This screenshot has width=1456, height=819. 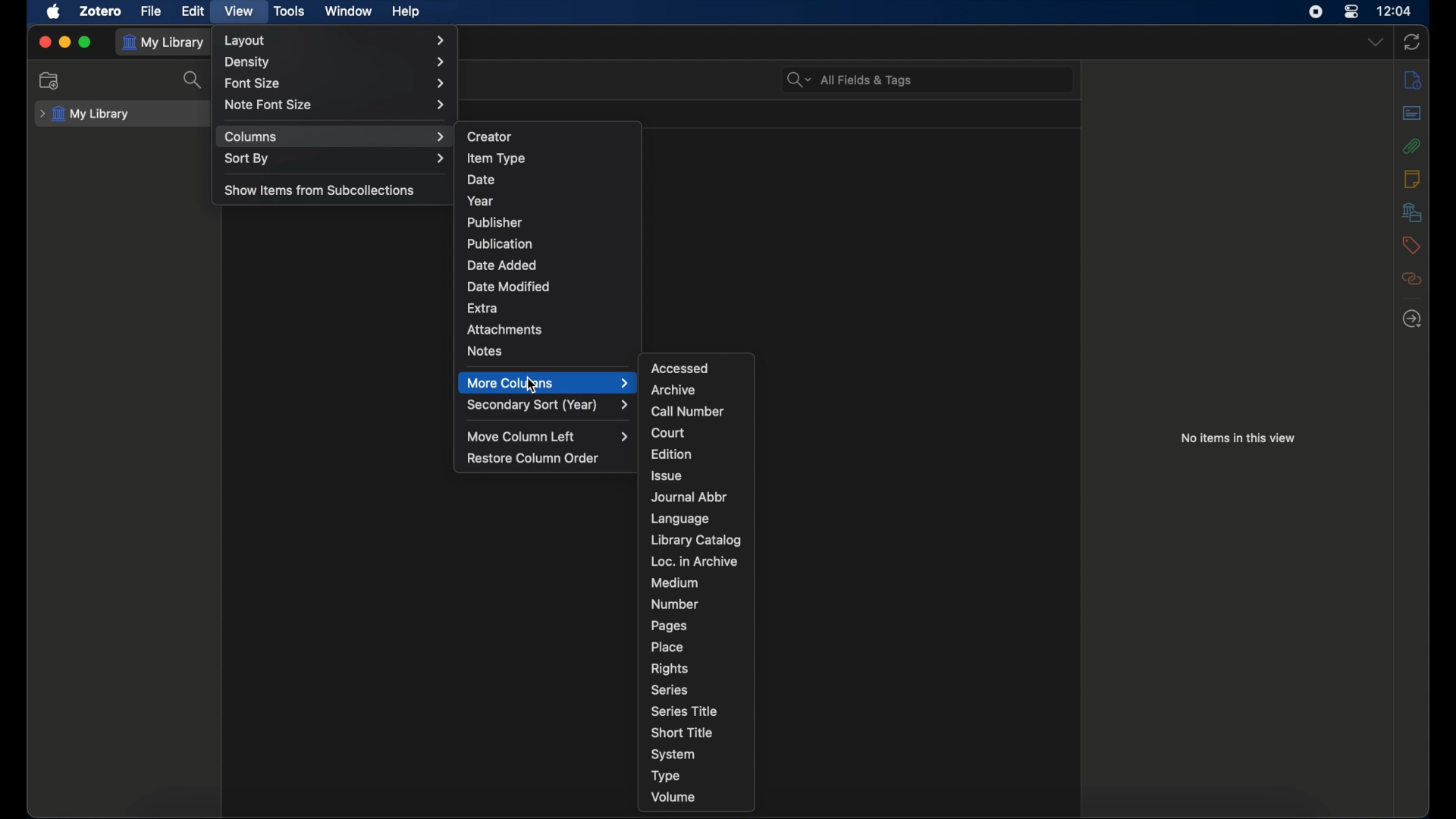 What do you see at coordinates (669, 669) in the screenshot?
I see `rights` at bounding box center [669, 669].